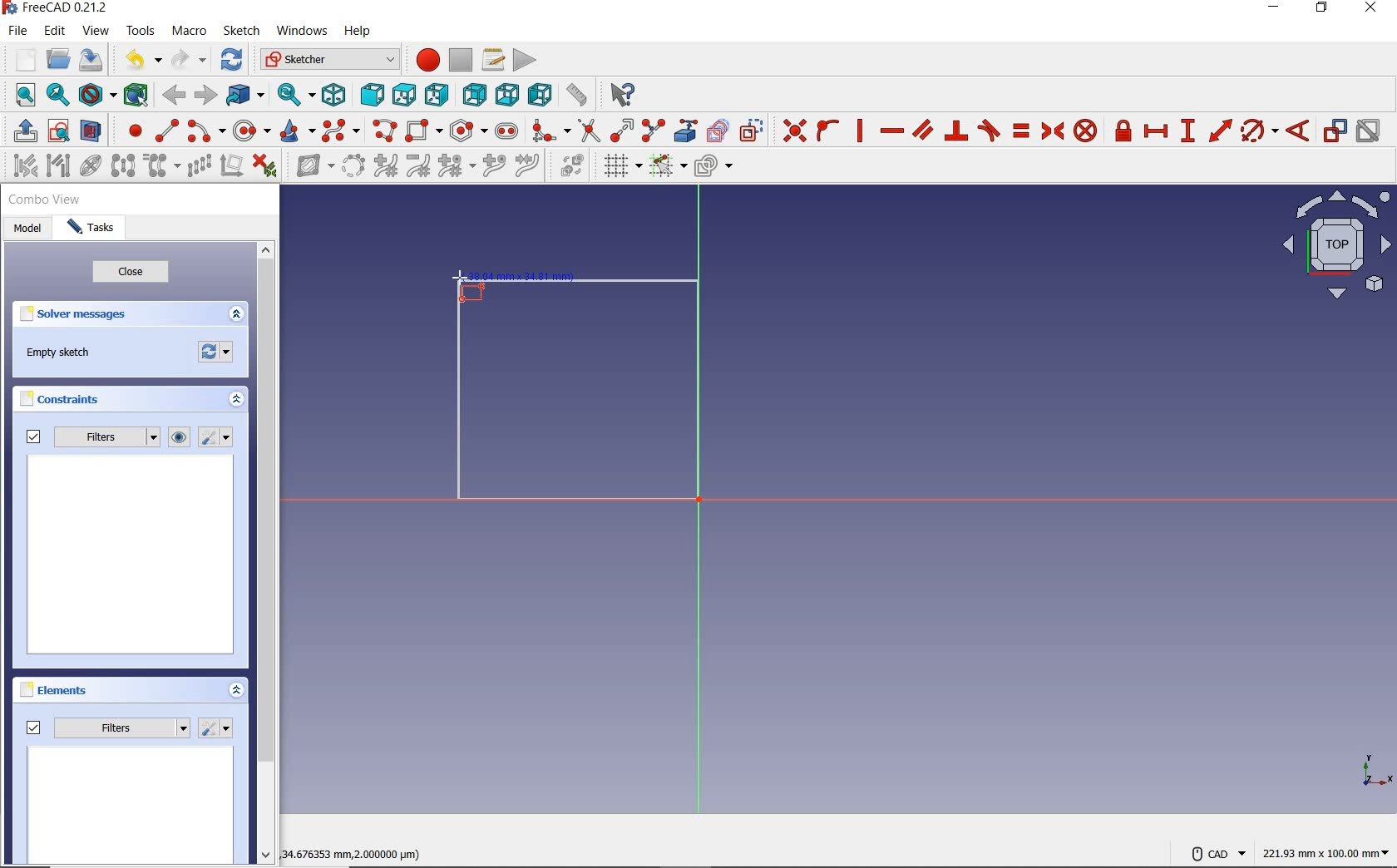  I want to click on elements, so click(84, 692).